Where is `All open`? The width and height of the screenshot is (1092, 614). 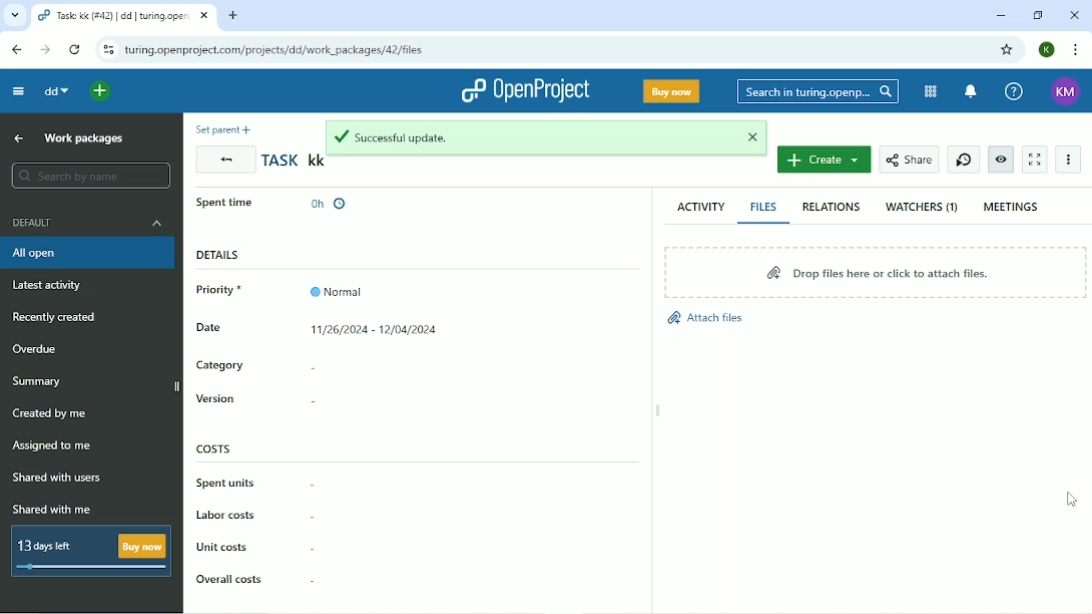
All open is located at coordinates (87, 255).